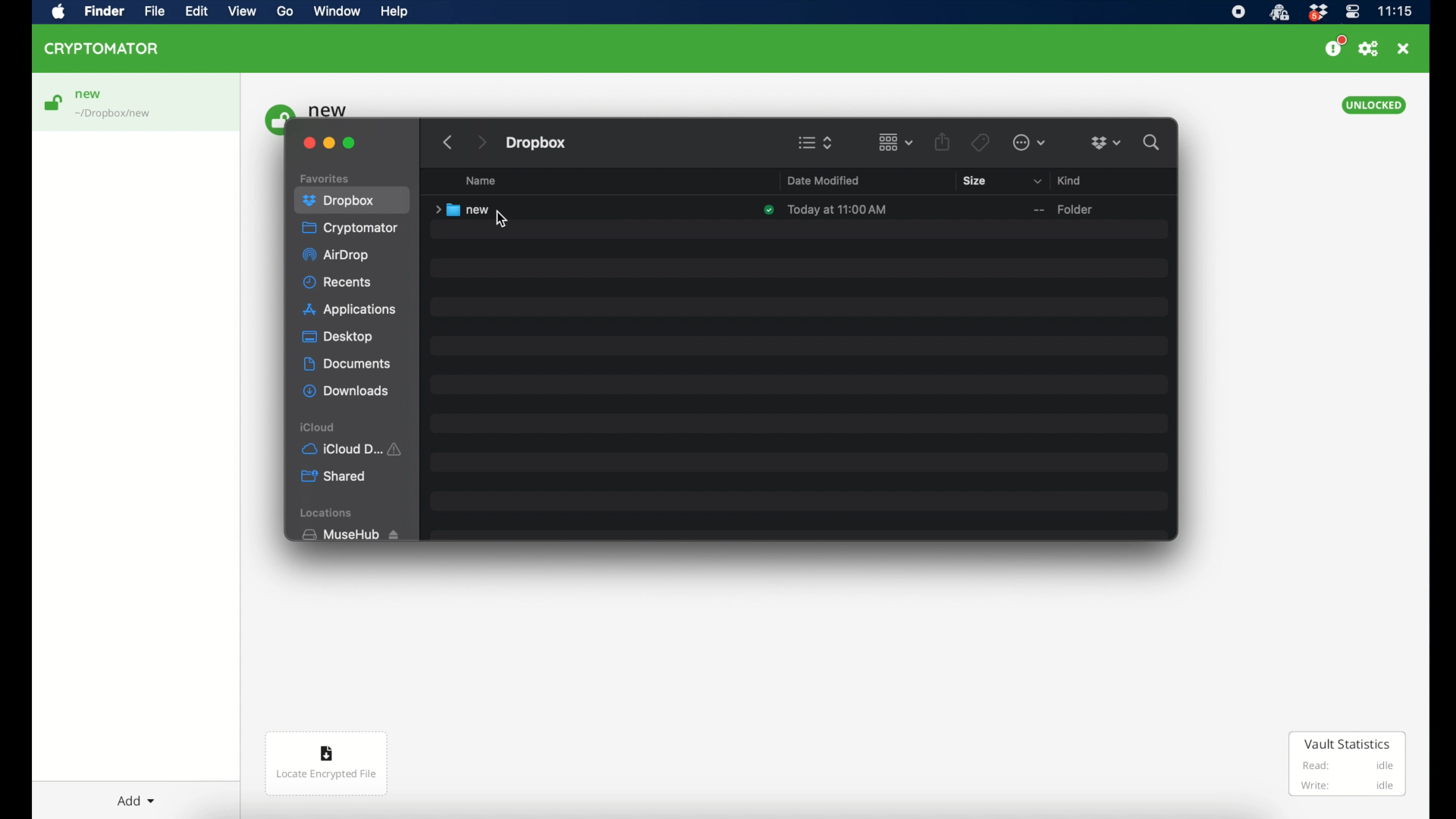 The height and width of the screenshot is (819, 1456). I want to click on unlocked, so click(1374, 105).